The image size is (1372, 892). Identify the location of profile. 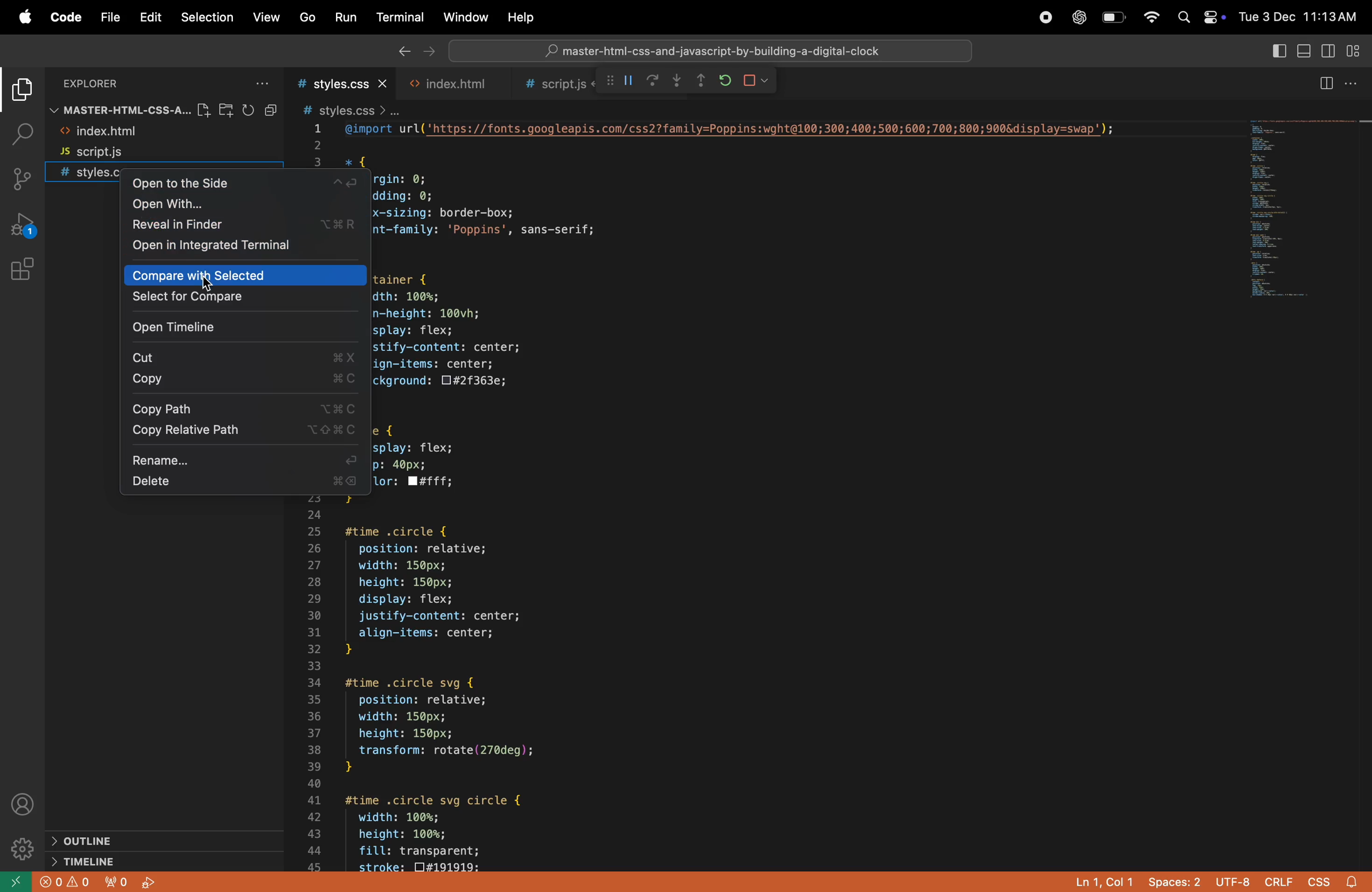
(24, 806).